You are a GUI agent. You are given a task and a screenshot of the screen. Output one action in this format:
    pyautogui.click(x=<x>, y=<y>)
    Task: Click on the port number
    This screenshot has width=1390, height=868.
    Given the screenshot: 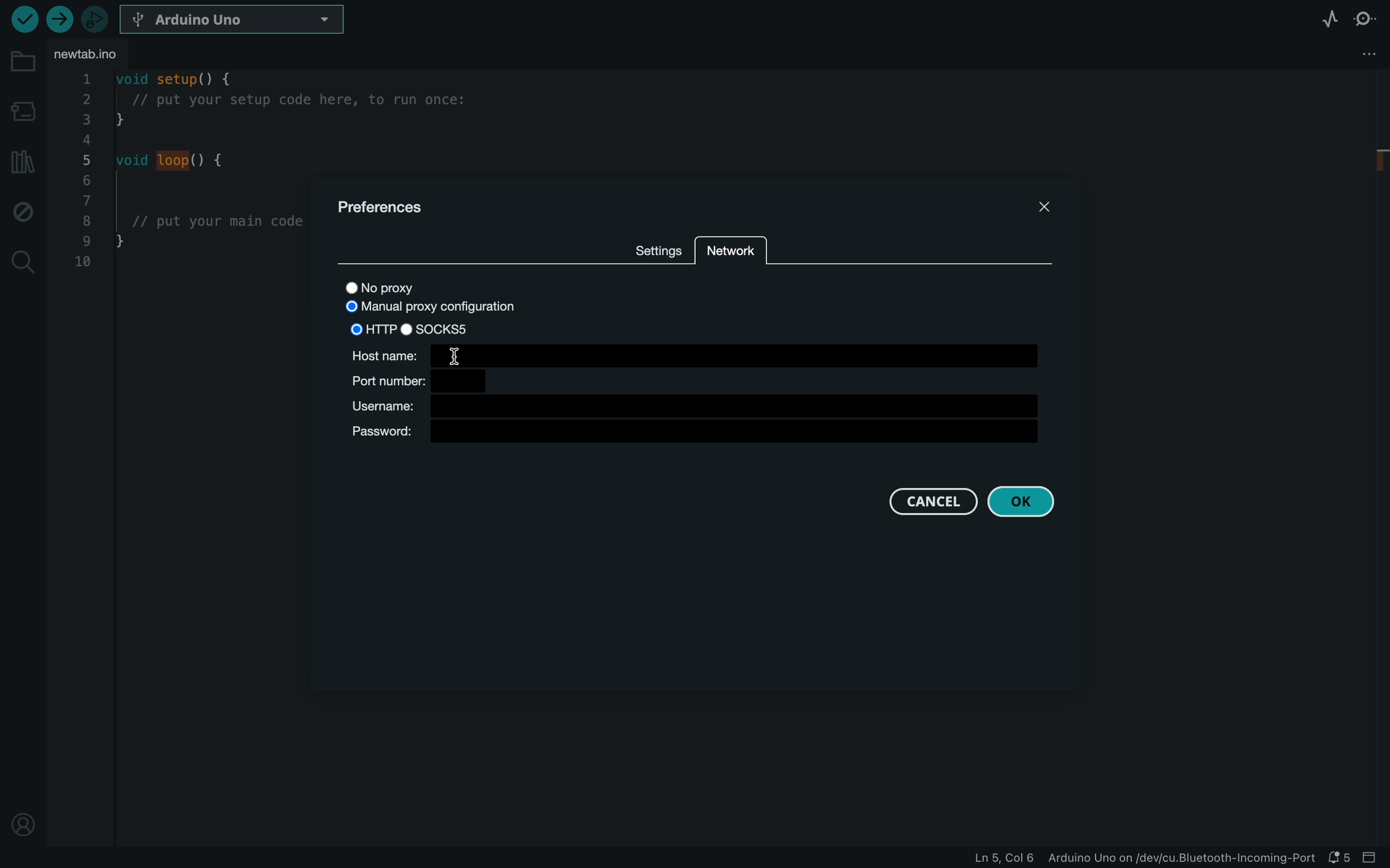 What is the action you would take?
    pyautogui.click(x=437, y=380)
    